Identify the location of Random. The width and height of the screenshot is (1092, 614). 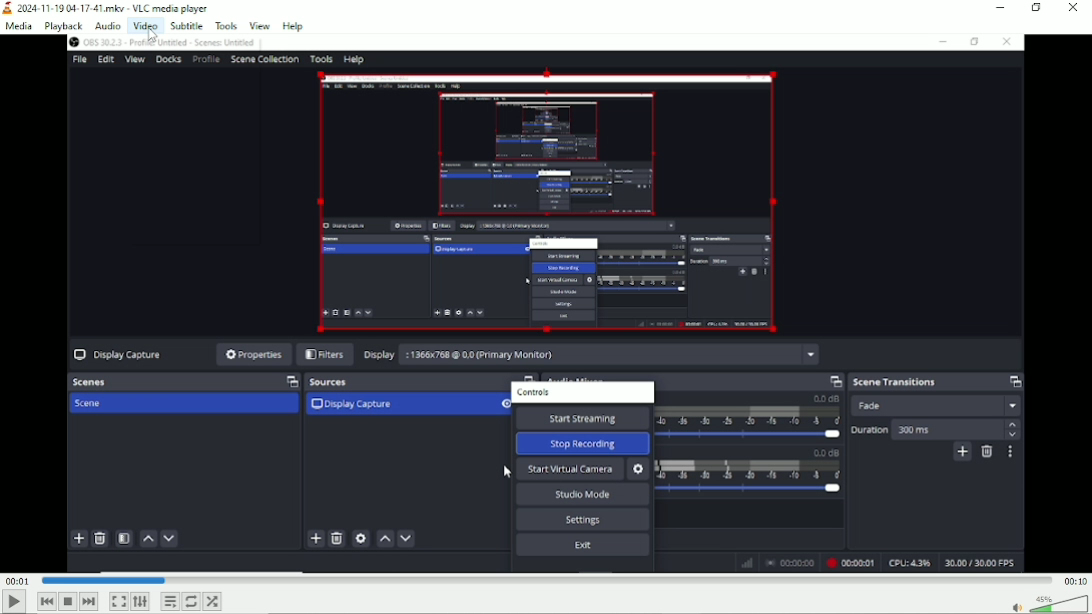
(213, 600).